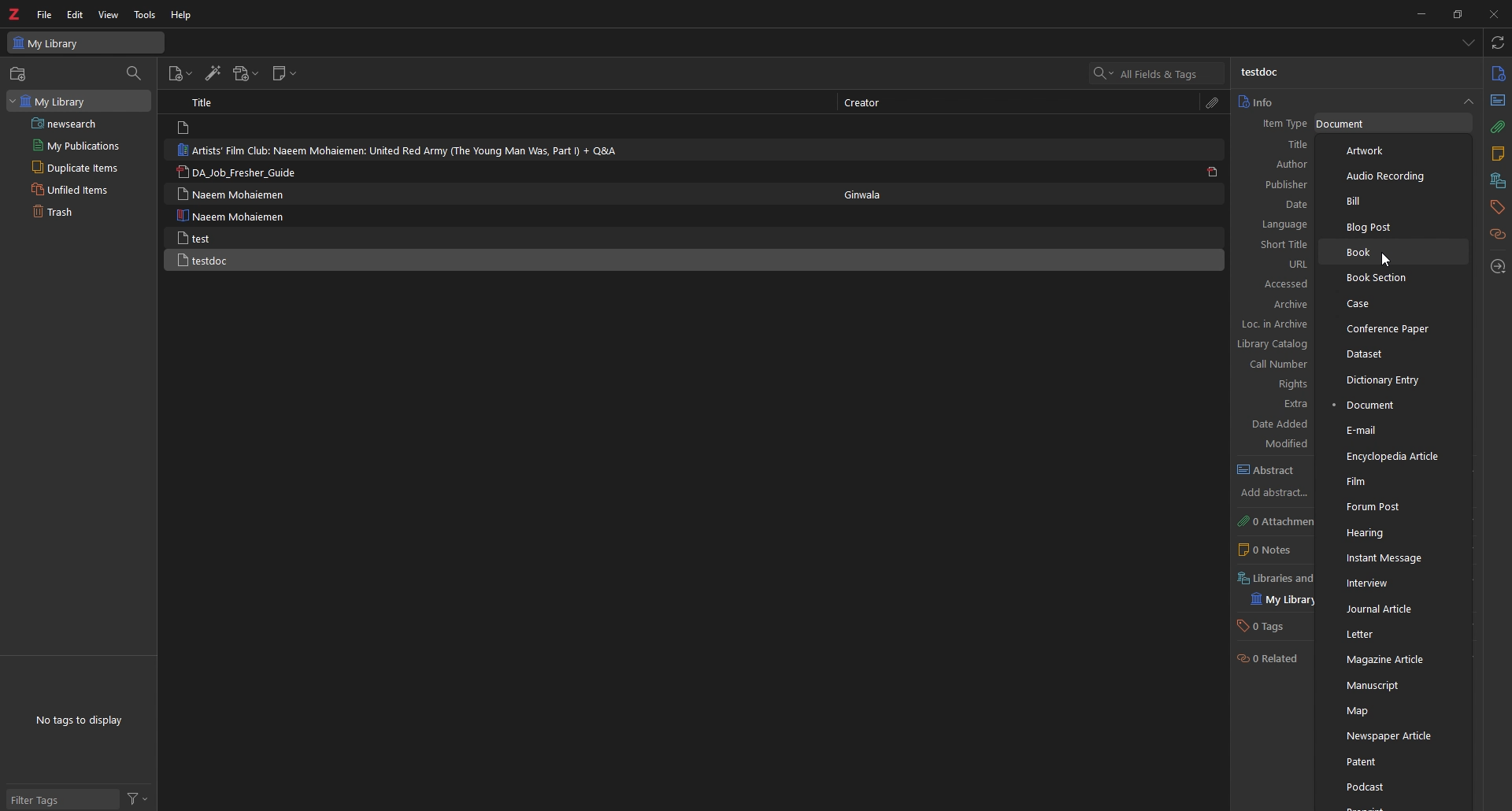  Describe the element at coordinates (1280, 424) in the screenshot. I see `Date Added` at that location.